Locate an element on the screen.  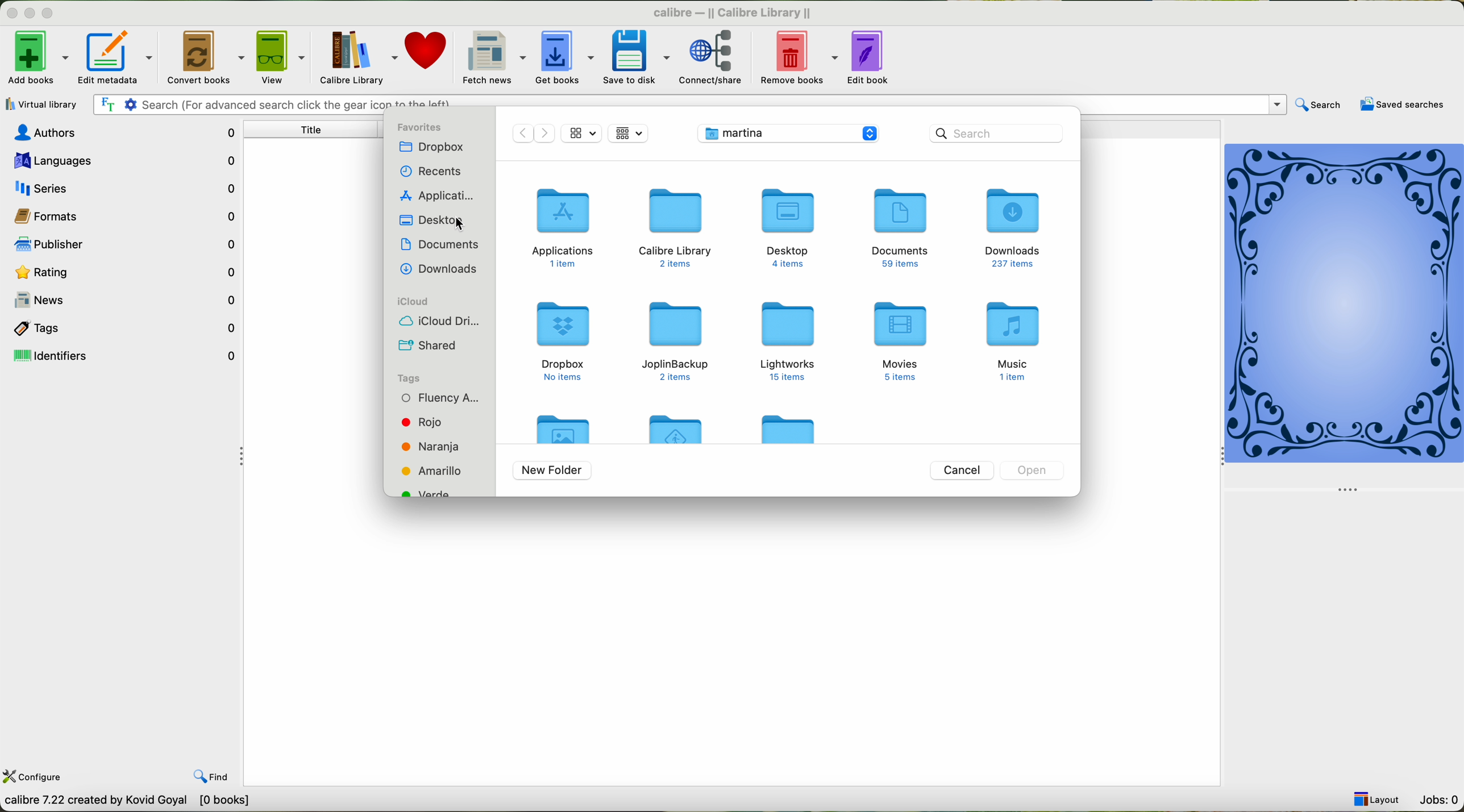
Callibre 7.22 Created by Kavid Goyal [o books] is located at coordinates (138, 803).